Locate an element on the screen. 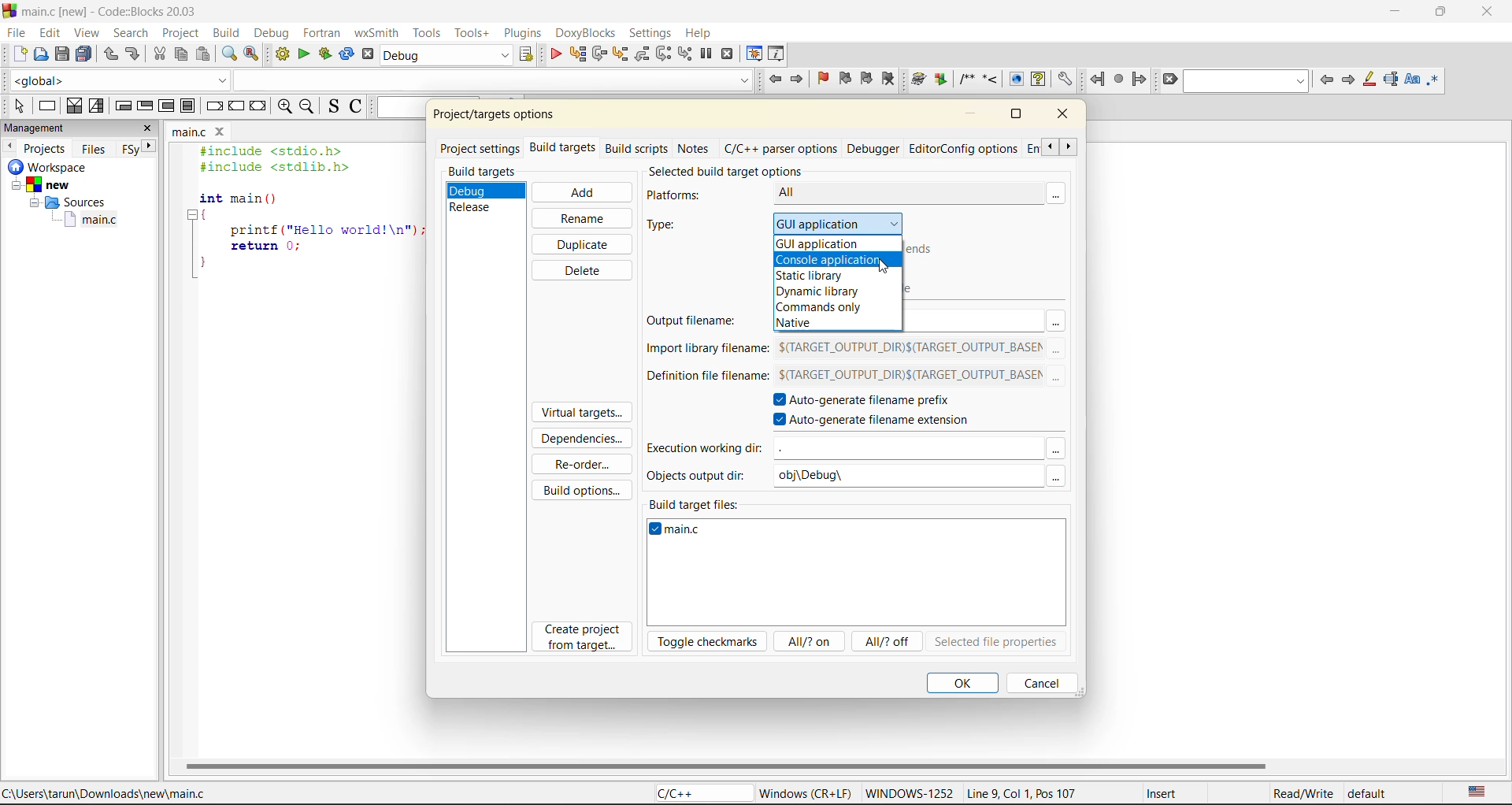 Image resolution: width=1512 pixels, height=805 pixels. show select target dialog is located at coordinates (528, 55).